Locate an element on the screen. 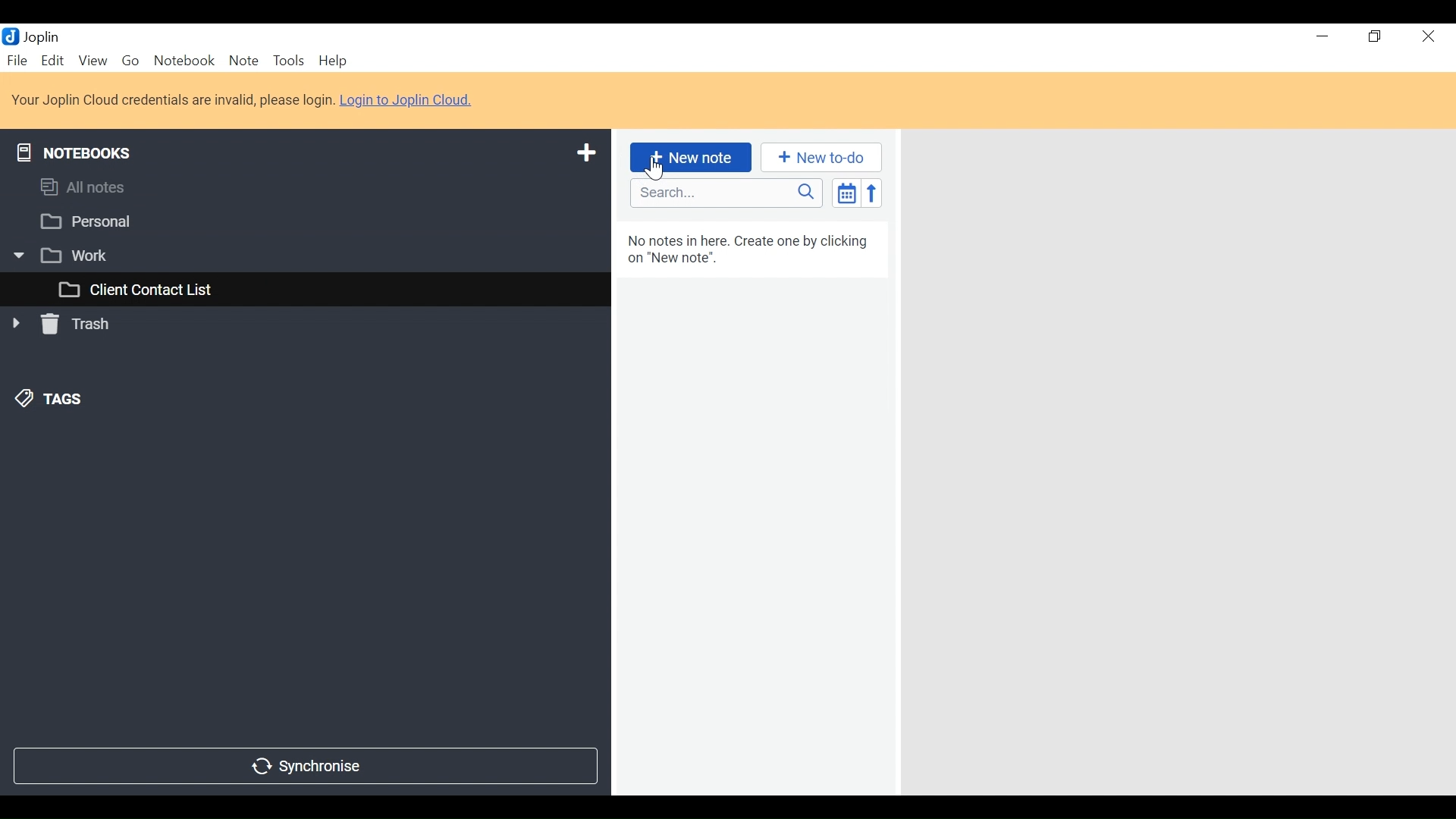 This screenshot has height=819, width=1456. Add a New to do is located at coordinates (821, 157).